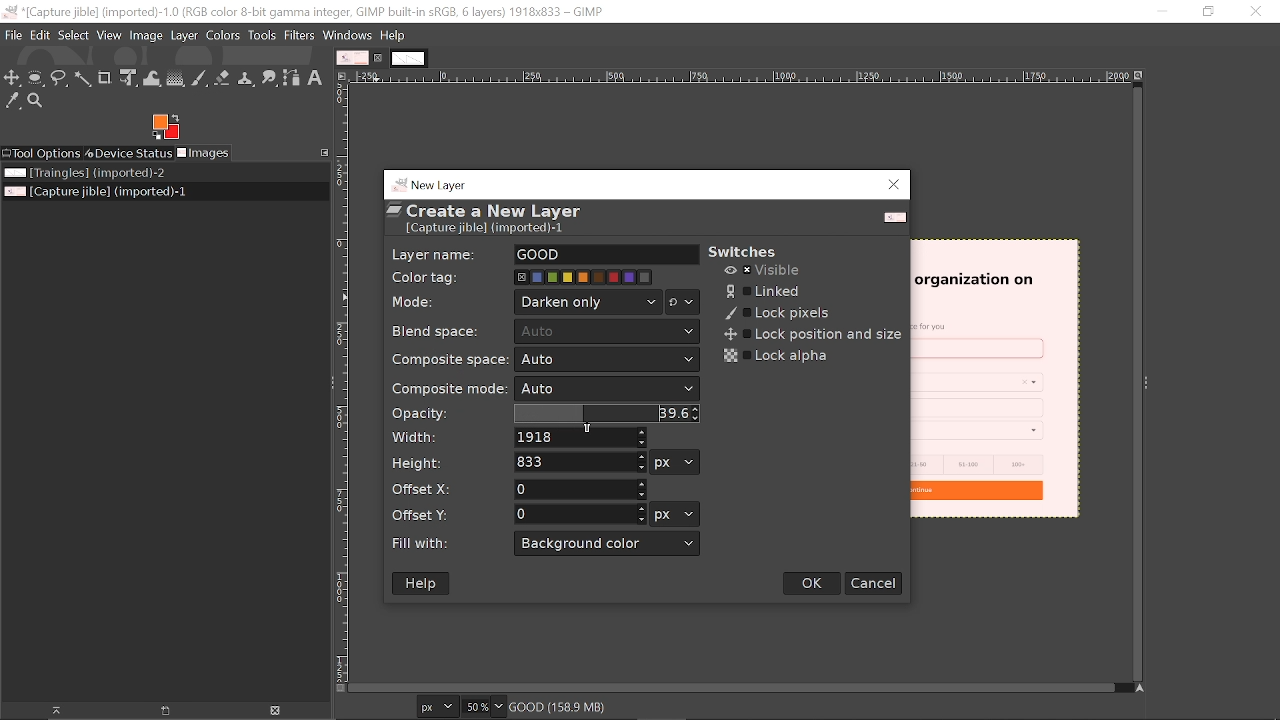  What do you see at coordinates (764, 271) in the screenshot?
I see `Visible` at bounding box center [764, 271].